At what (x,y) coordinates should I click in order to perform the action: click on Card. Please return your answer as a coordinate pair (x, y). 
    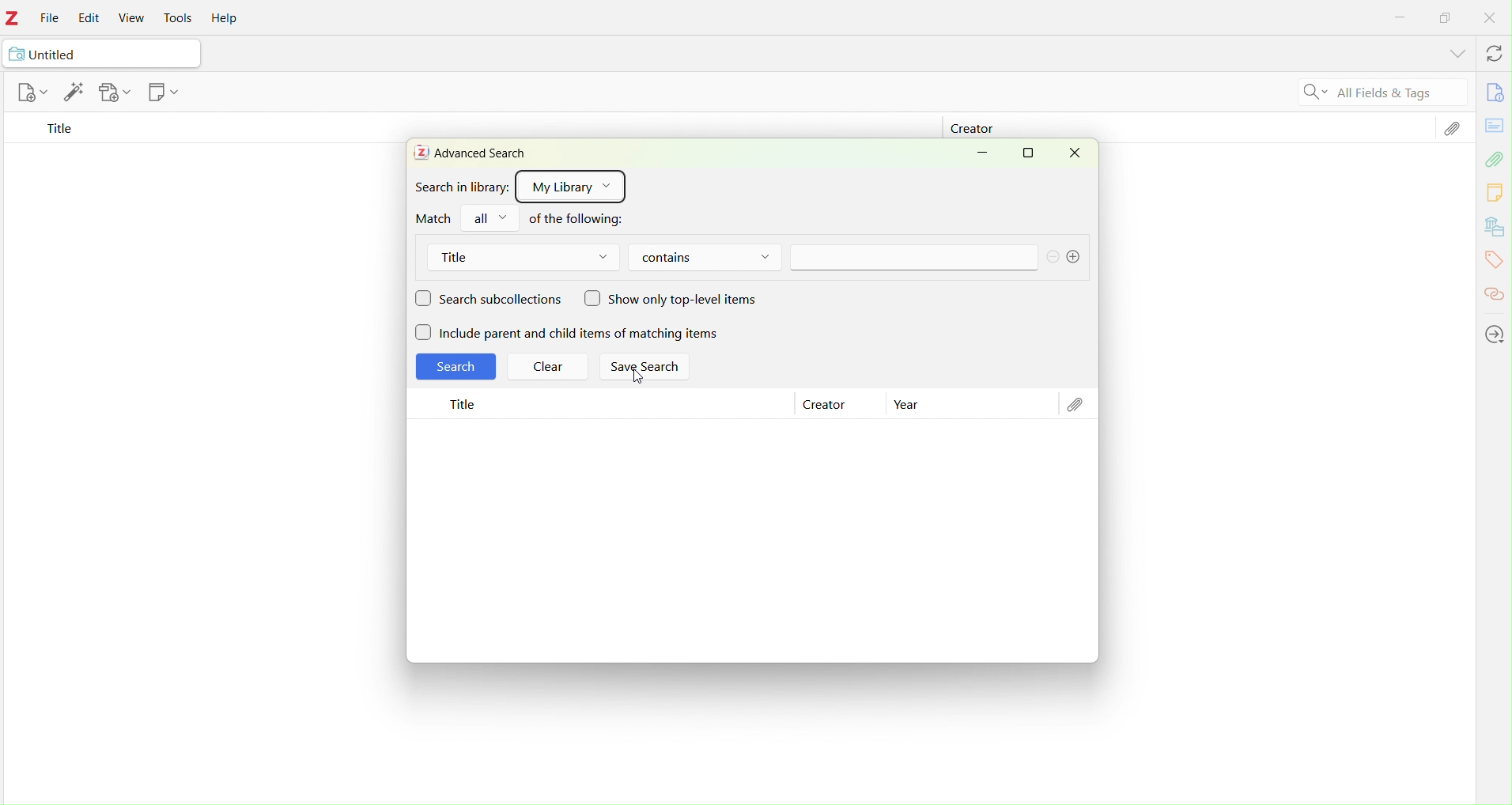
    Looking at the image, I should click on (1495, 124).